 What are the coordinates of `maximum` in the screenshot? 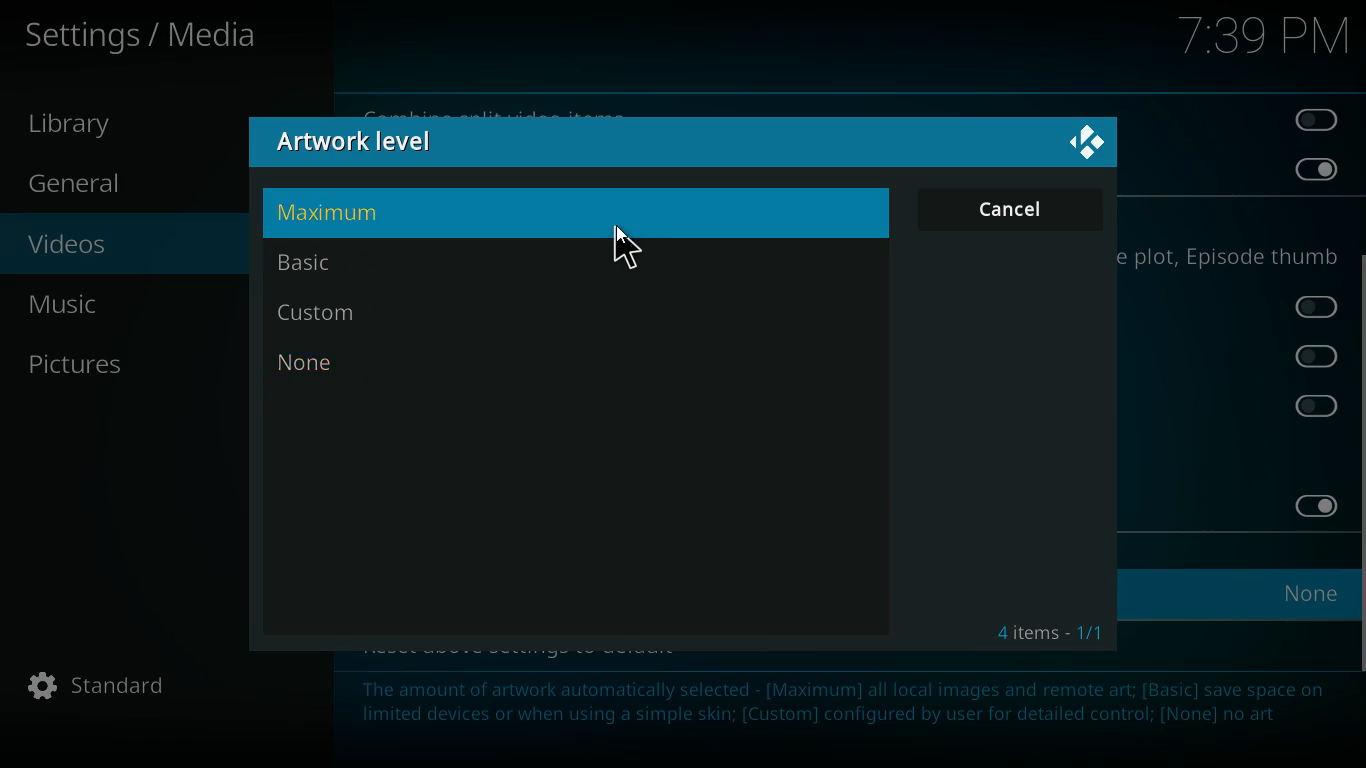 It's located at (569, 213).